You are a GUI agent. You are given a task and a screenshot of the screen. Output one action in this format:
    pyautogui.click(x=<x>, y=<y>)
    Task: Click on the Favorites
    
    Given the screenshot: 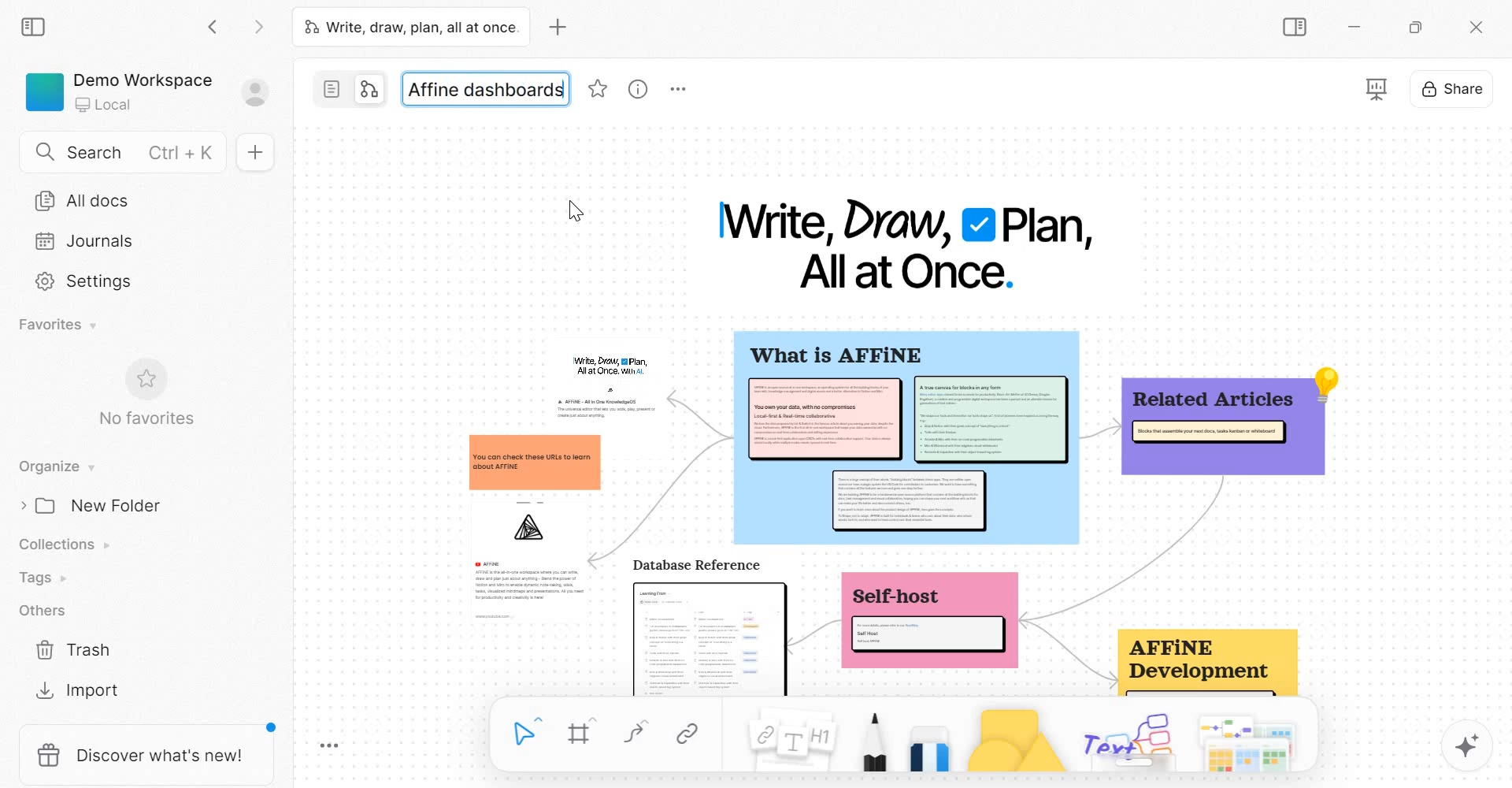 What is the action you would take?
    pyautogui.click(x=57, y=325)
    